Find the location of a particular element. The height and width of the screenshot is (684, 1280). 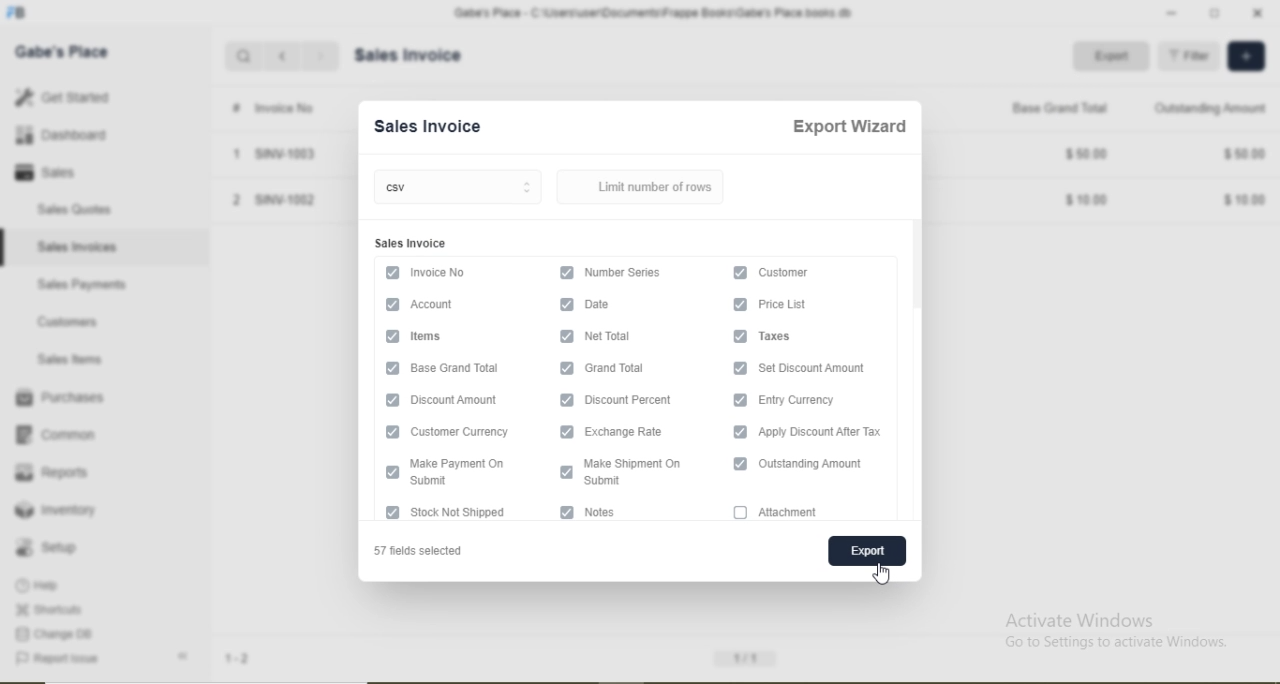

checkbox is located at coordinates (567, 368).